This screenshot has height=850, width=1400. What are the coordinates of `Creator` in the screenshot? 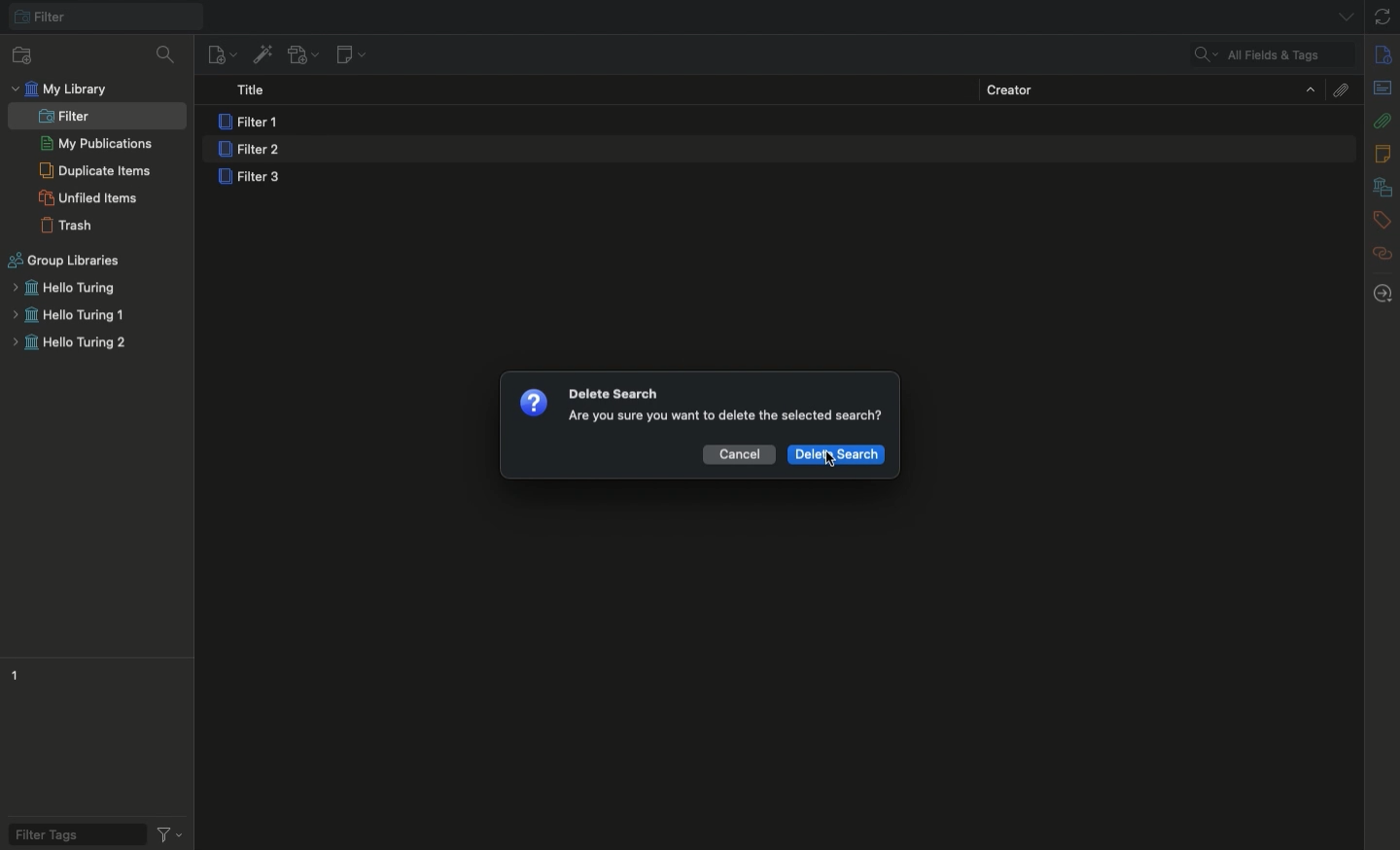 It's located at (1150, 89).